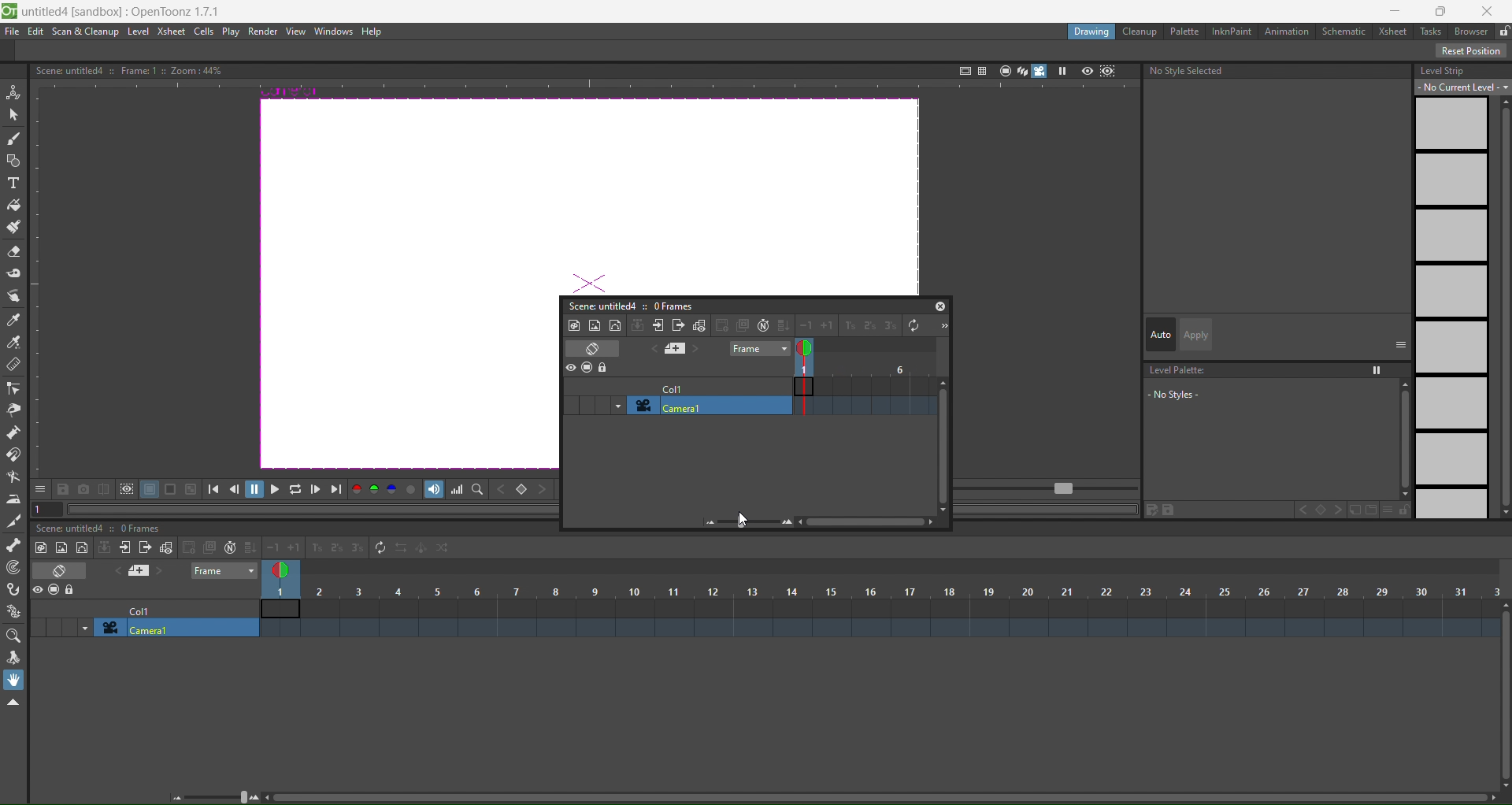  Describe the element at coordinates (15, 228) in the screenshot. I see `paint brush tool` at that location.